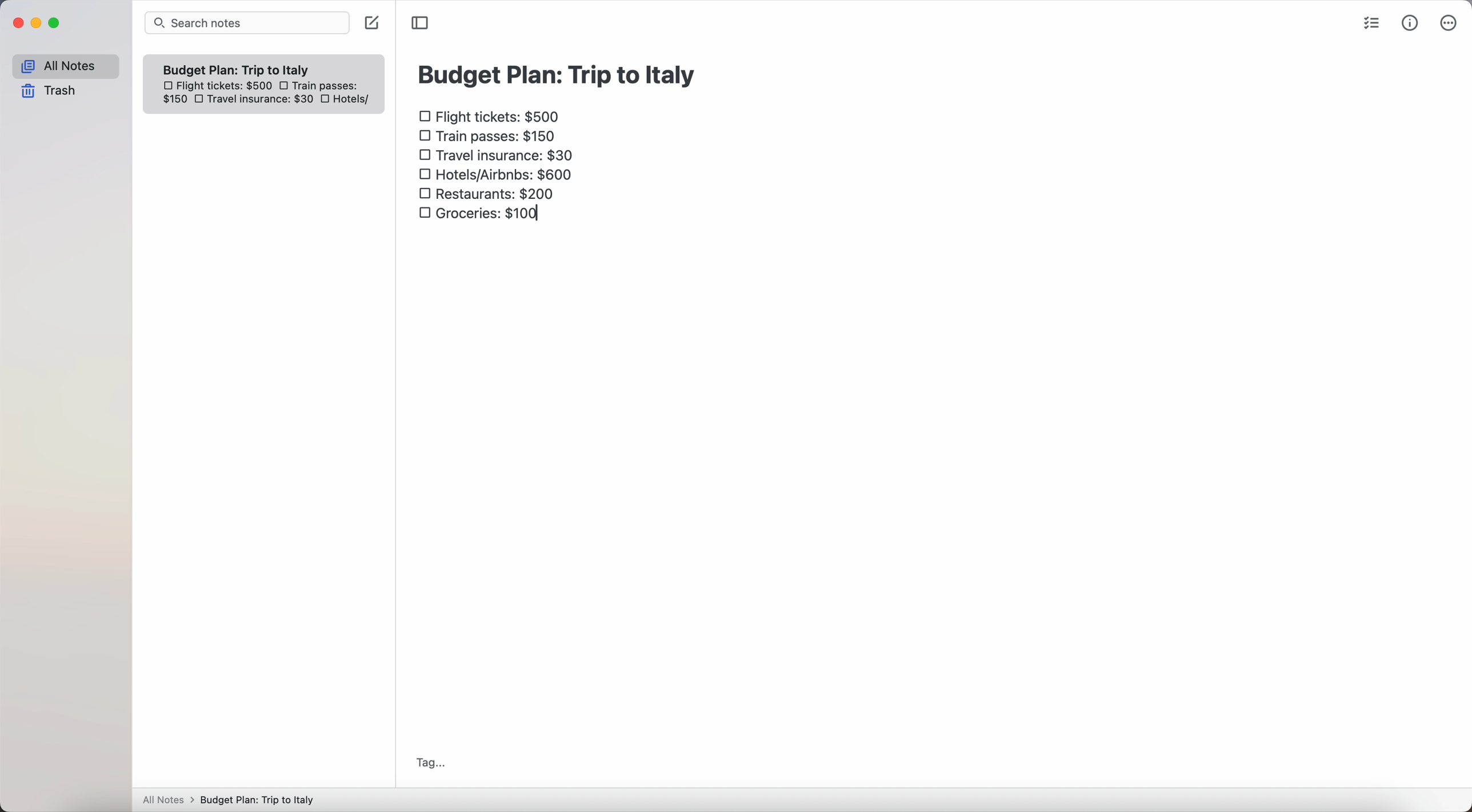 The width and height of the screenshot is (1472, 812). What do you see at coordinates (174, 101) in the screenshot?
I see `150` at bounding box center [174, 101].